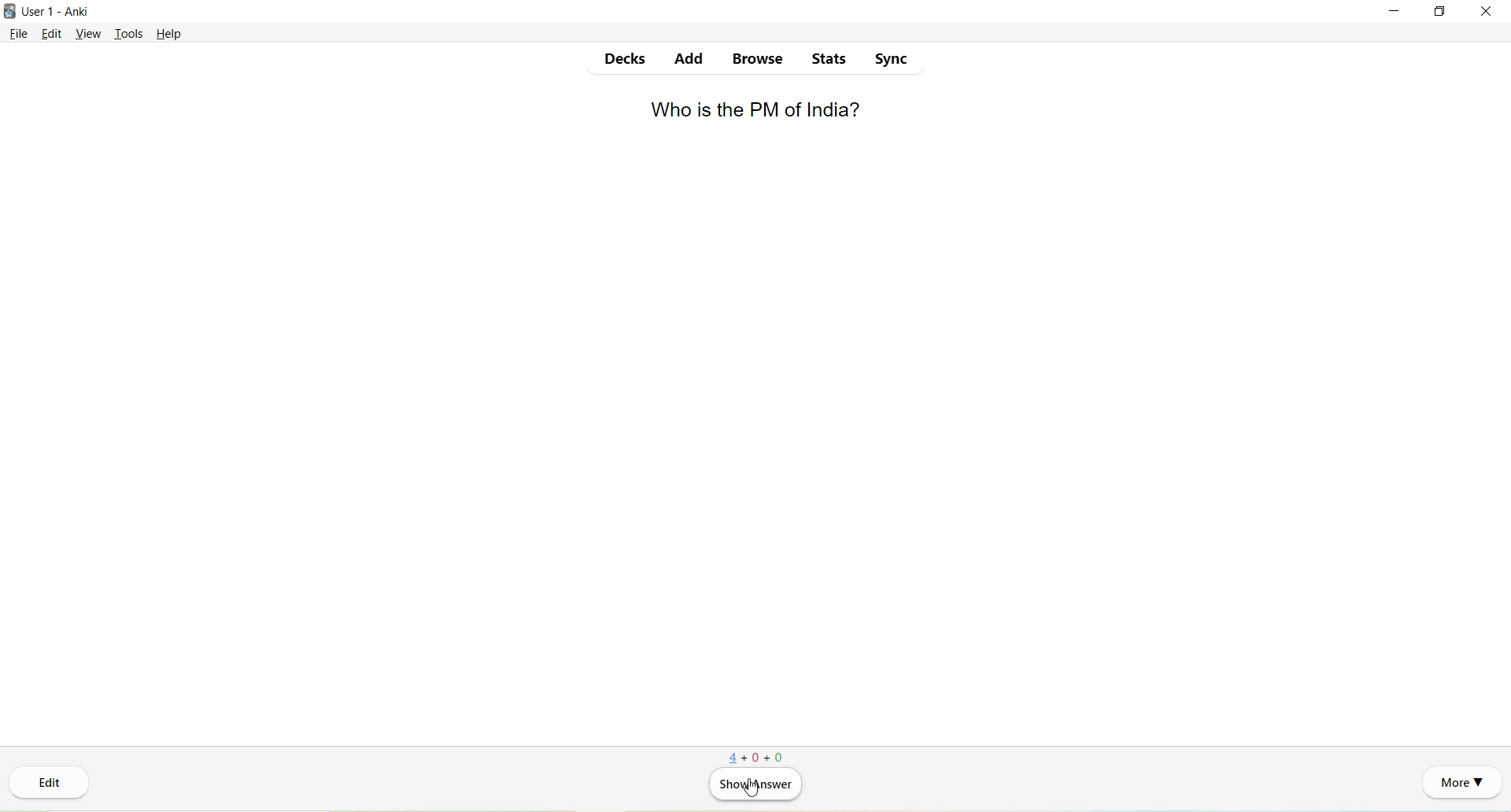 This screenshot has height=812, width=1511. What do you see at coordinates (629, 61) in the screenshot?
I see `Decks` at bounding box center [629, 61].